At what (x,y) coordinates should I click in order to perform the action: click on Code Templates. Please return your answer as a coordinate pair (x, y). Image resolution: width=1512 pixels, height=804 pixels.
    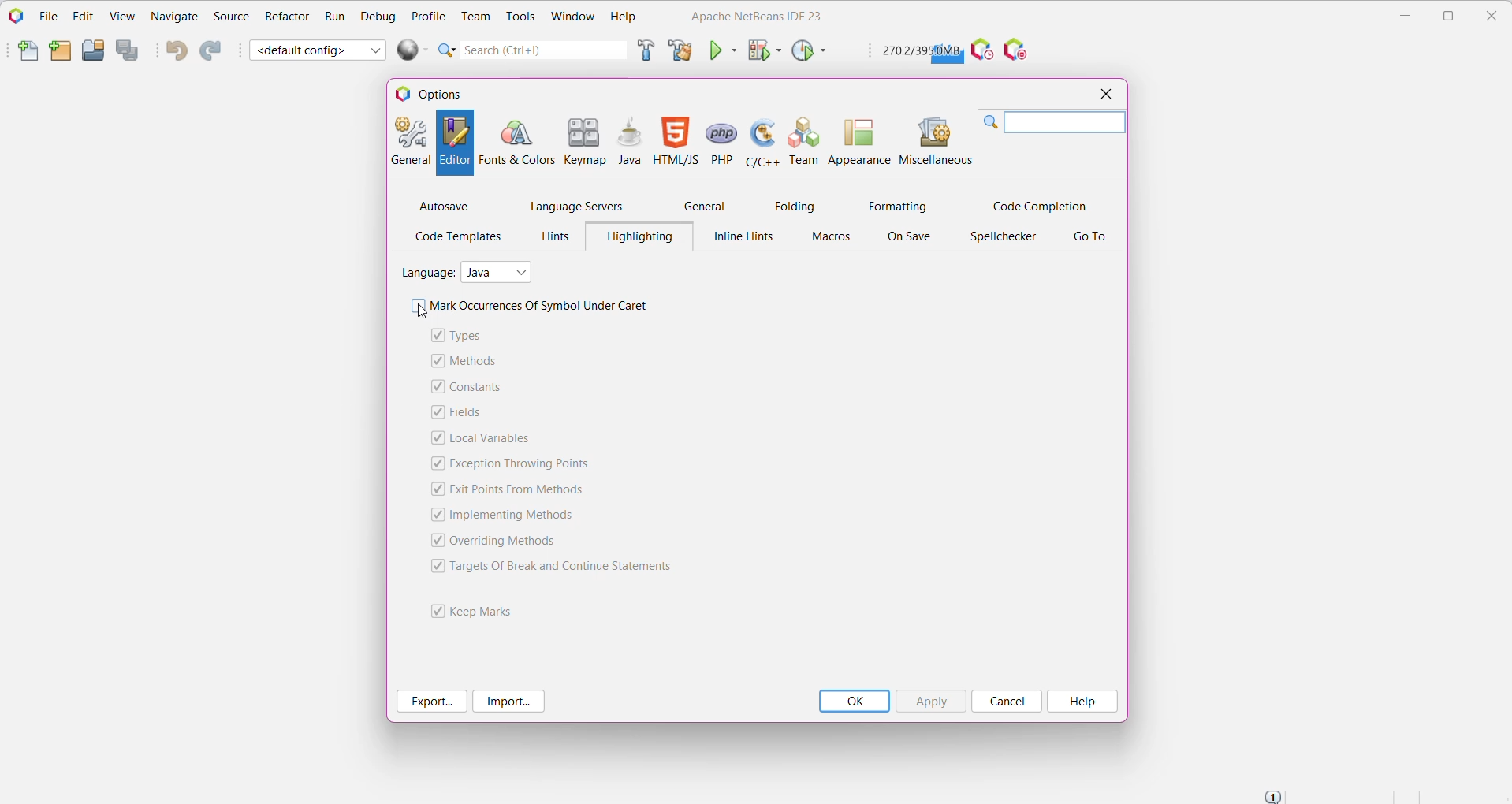
    Looking at the image, I should click on (458, 238).